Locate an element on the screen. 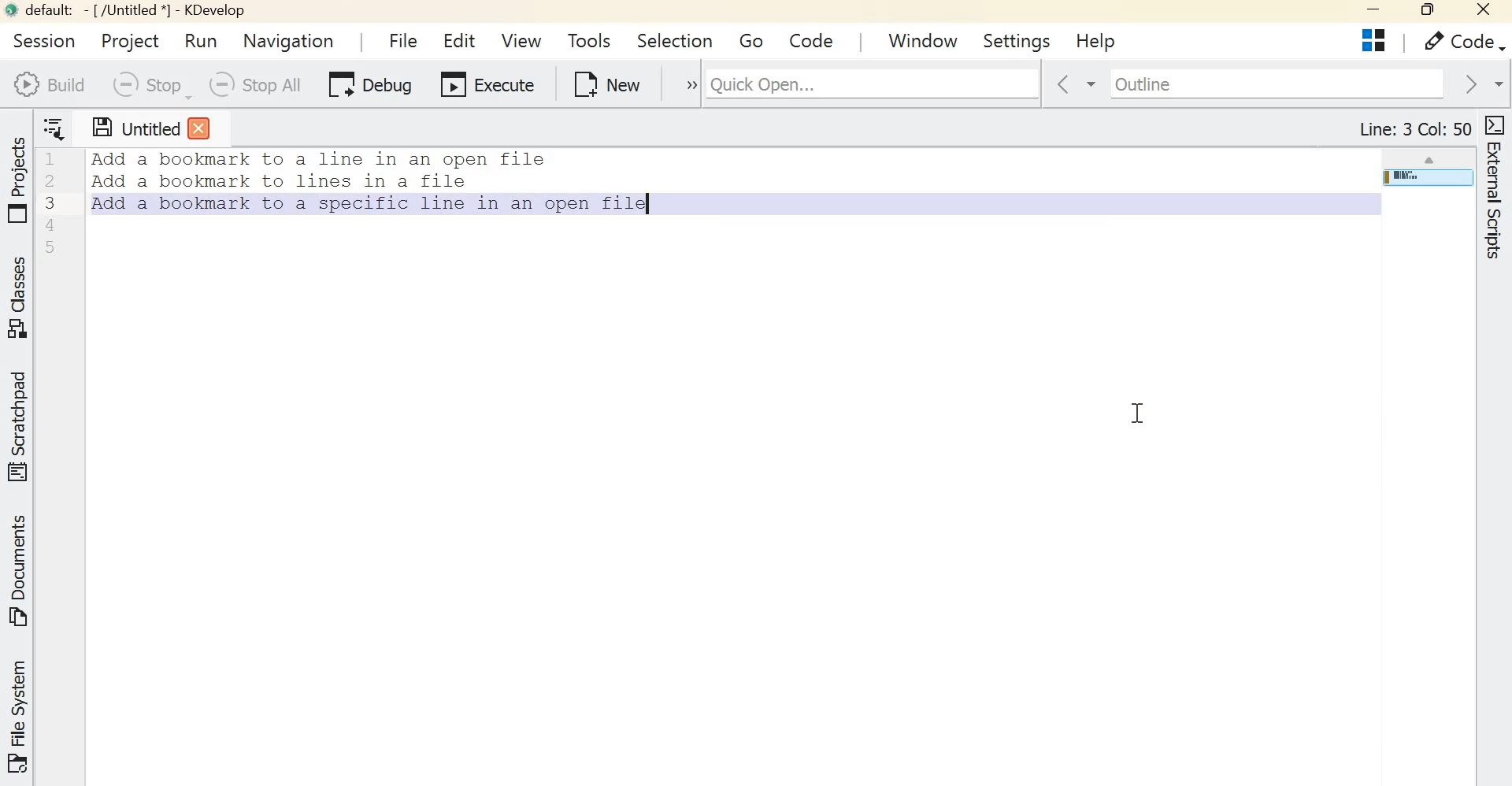 The height and width of the screenshot is (786, 1512). Help is located at coordinates (1097, 41).